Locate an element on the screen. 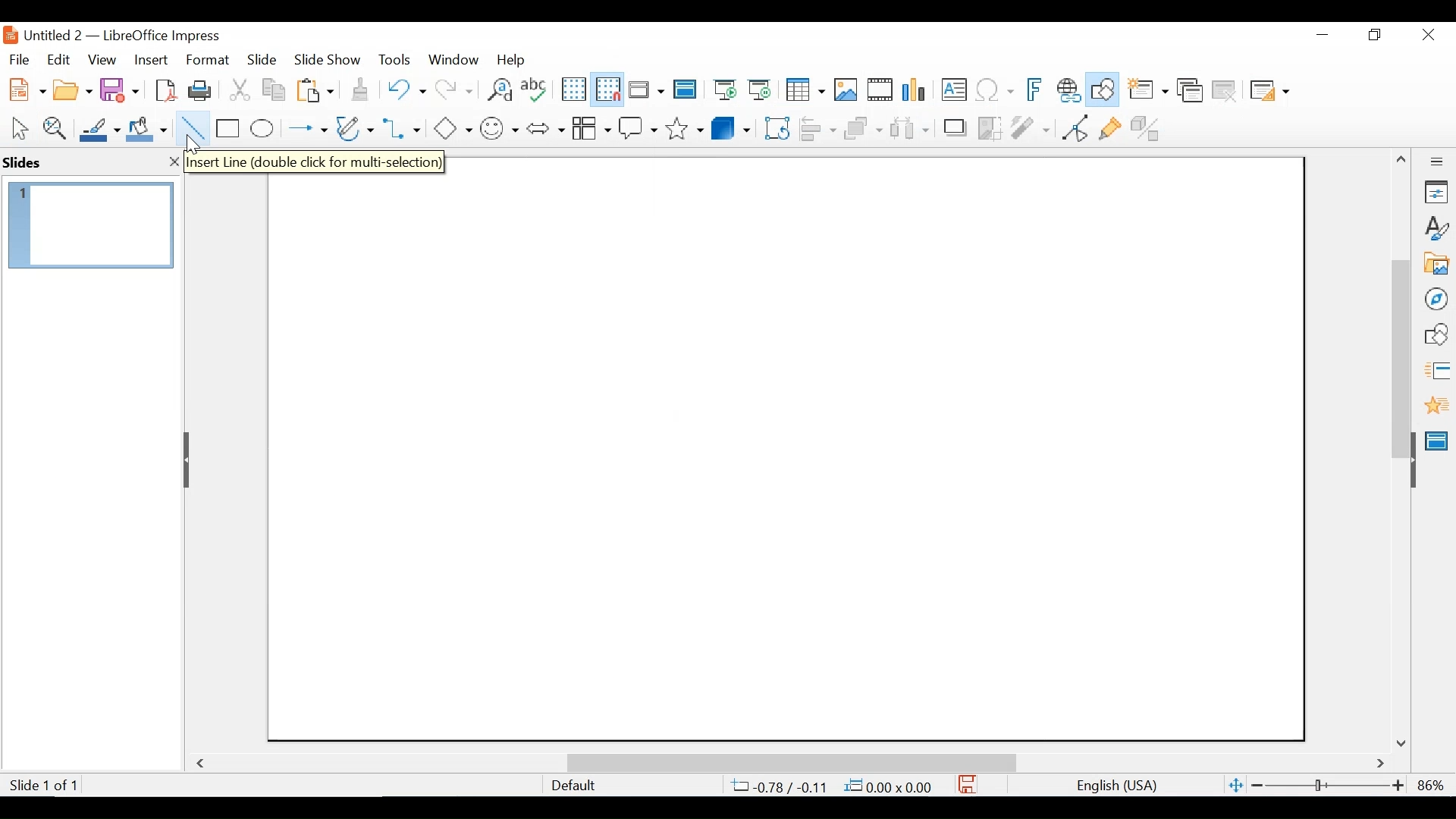  Shadow Image is located at coordinates (956, 127).